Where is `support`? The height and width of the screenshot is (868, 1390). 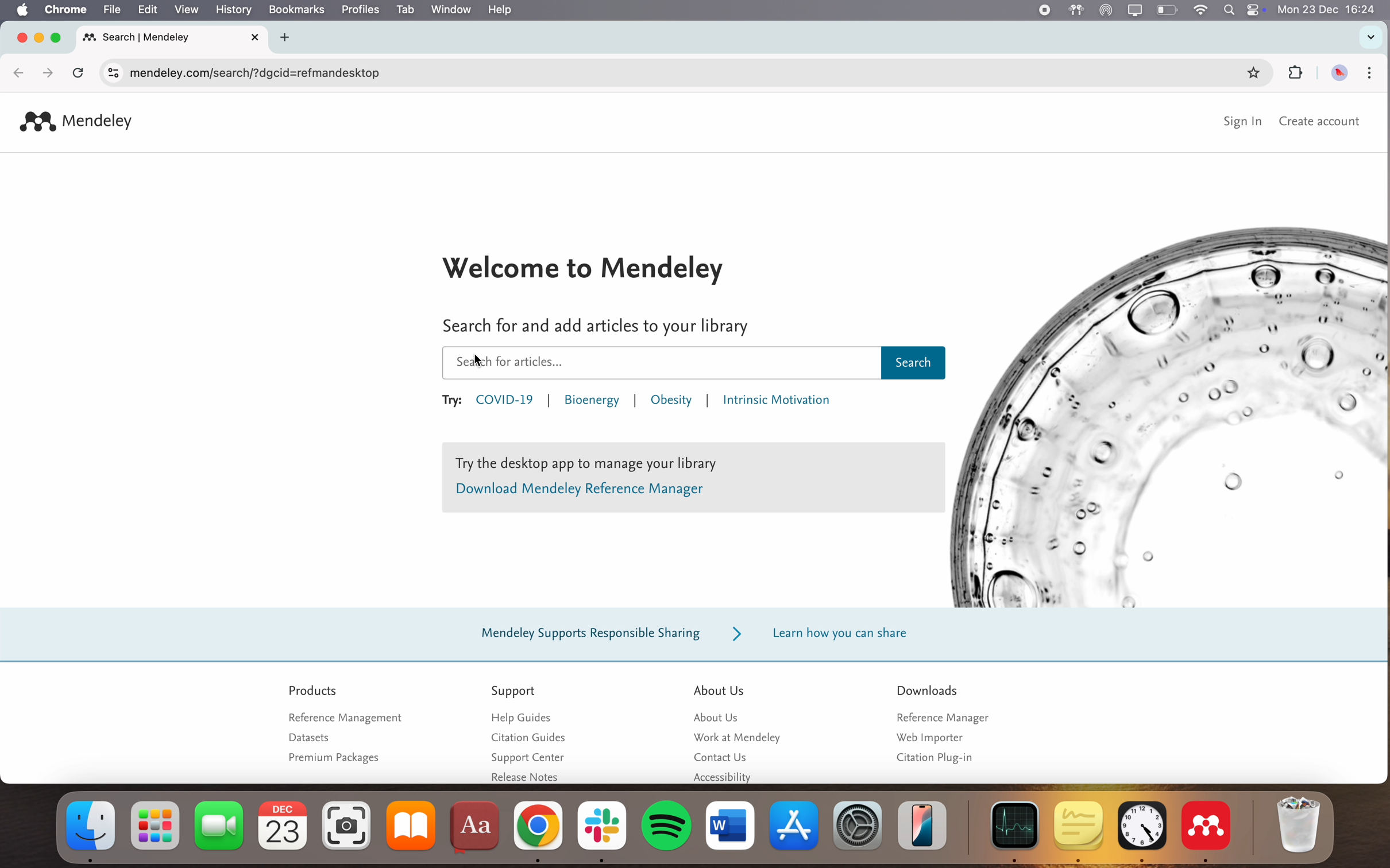 support is located at coordinates (515, 690).